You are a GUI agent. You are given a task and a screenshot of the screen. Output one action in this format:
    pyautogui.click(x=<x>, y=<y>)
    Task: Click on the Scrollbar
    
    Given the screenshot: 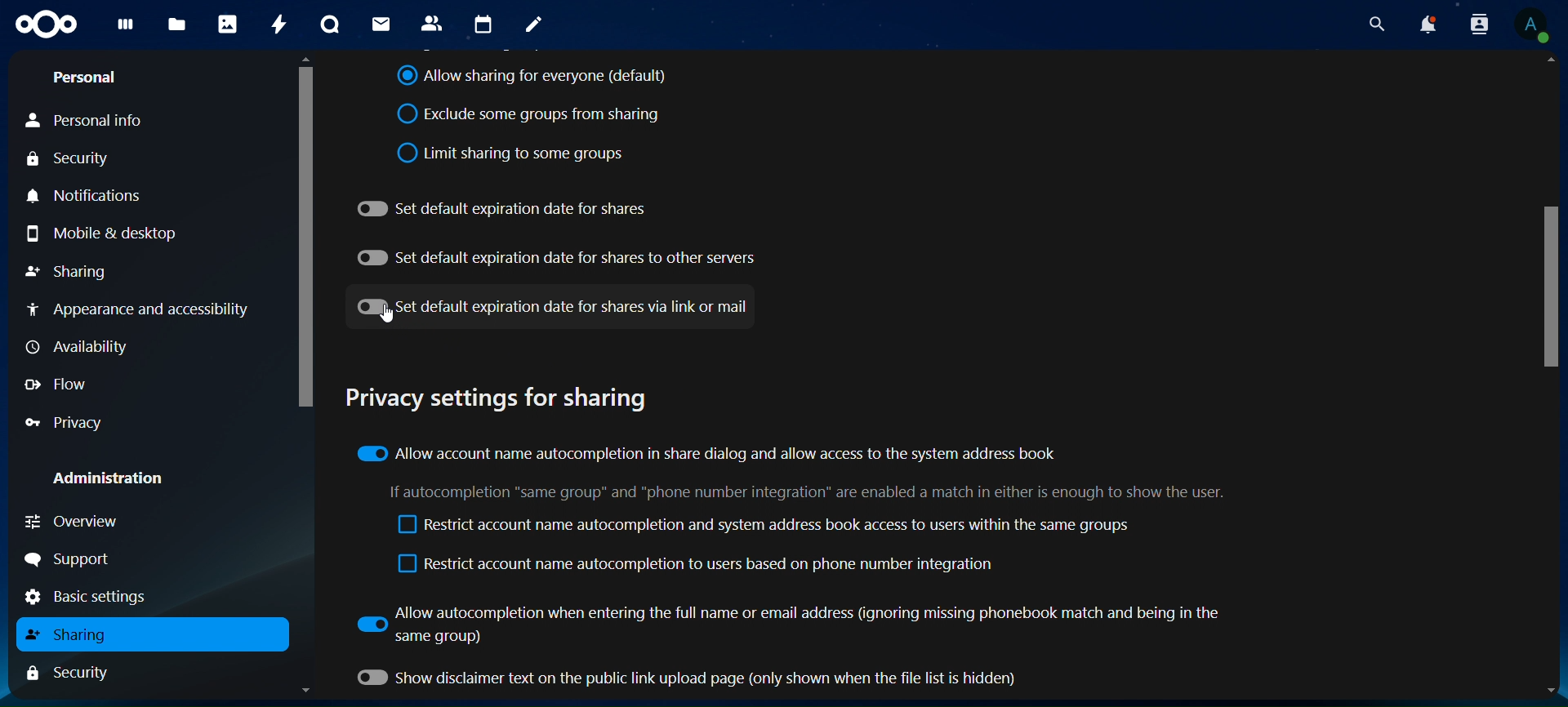 What is the action you would take?
    pyautogui.click(x=1551, y=376)
    